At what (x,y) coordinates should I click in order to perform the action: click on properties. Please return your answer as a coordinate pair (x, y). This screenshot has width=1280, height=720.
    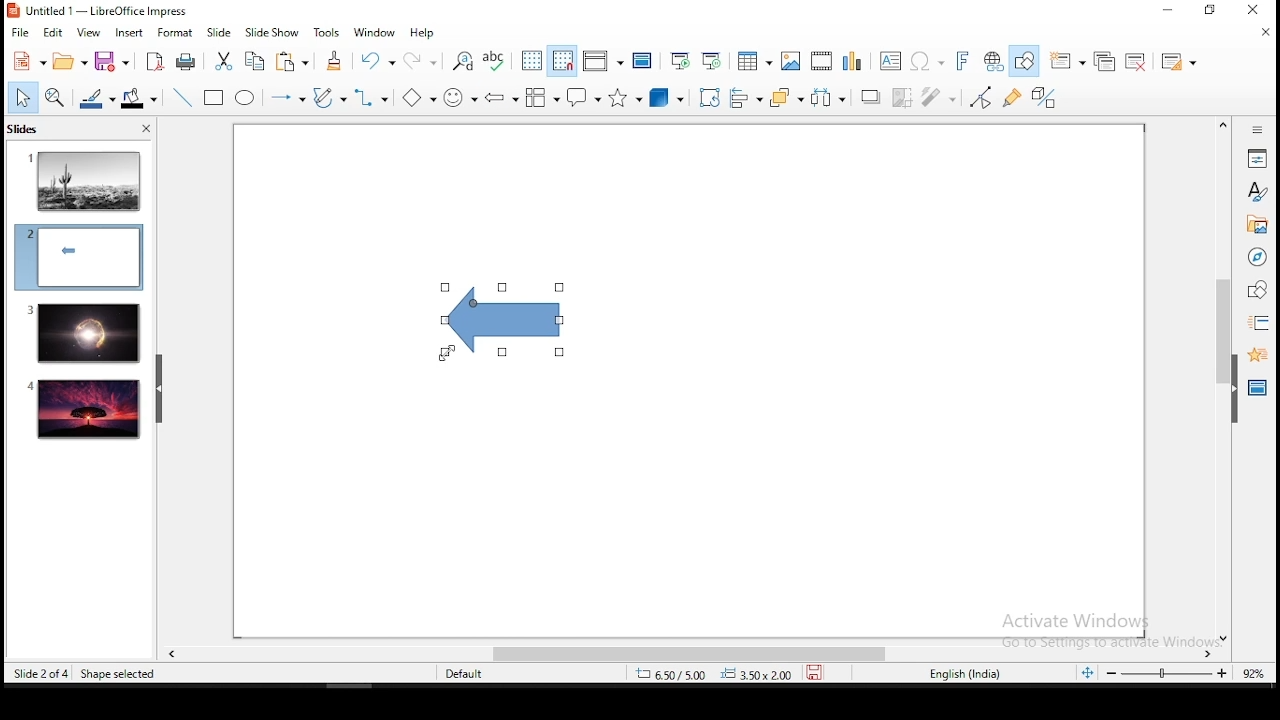
    Looking at the image, I should click on (1257, 157).